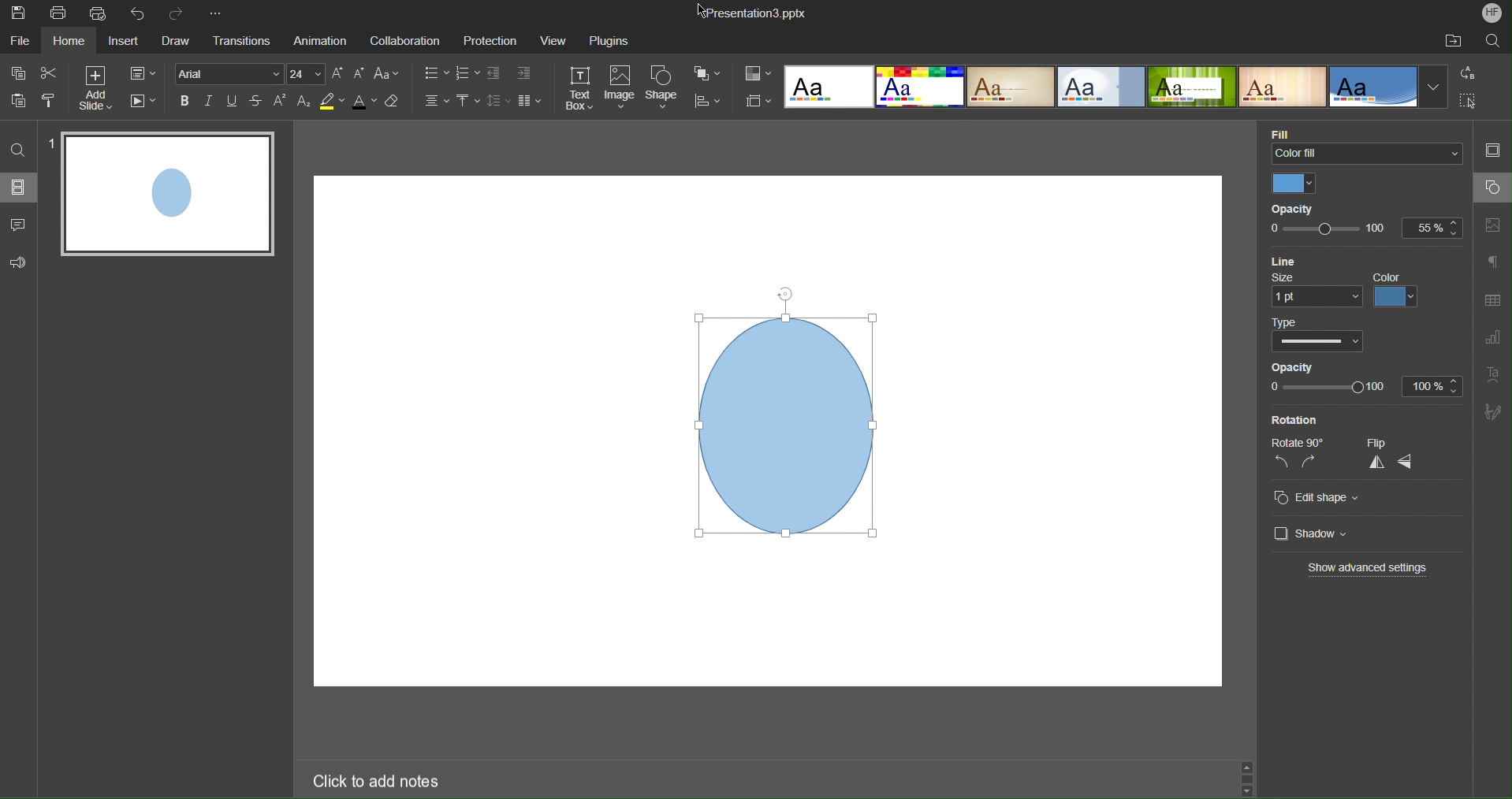  What do you see at coordinates (495, 74) in the screenshot?
I see `Decrease Indent` at bounding box center [495, 74].